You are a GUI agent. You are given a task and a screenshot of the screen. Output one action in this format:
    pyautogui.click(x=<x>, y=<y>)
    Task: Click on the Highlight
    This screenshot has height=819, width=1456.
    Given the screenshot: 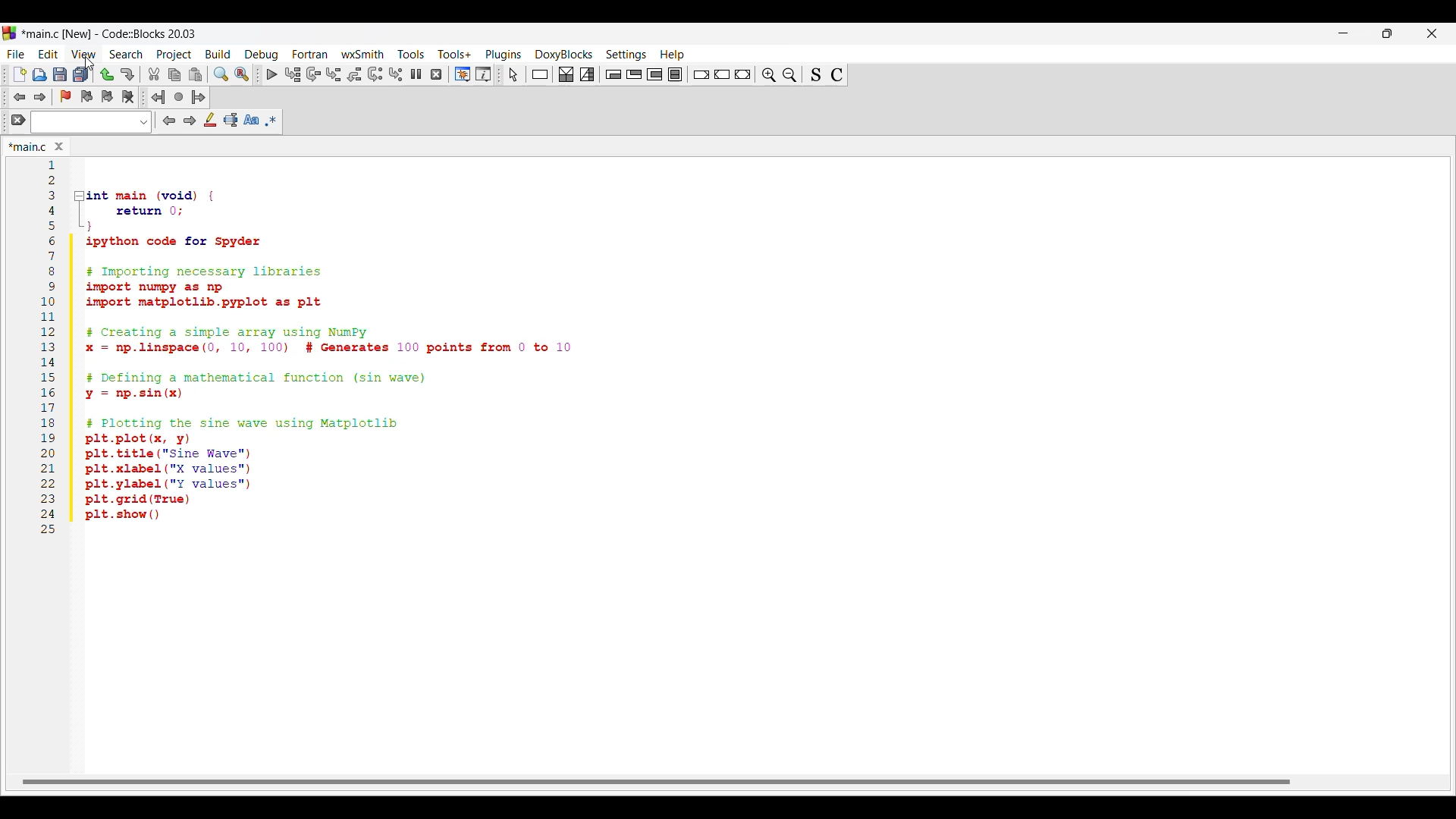 What is the action you would take?
    pyautogui.click(x=211, y=120)
    